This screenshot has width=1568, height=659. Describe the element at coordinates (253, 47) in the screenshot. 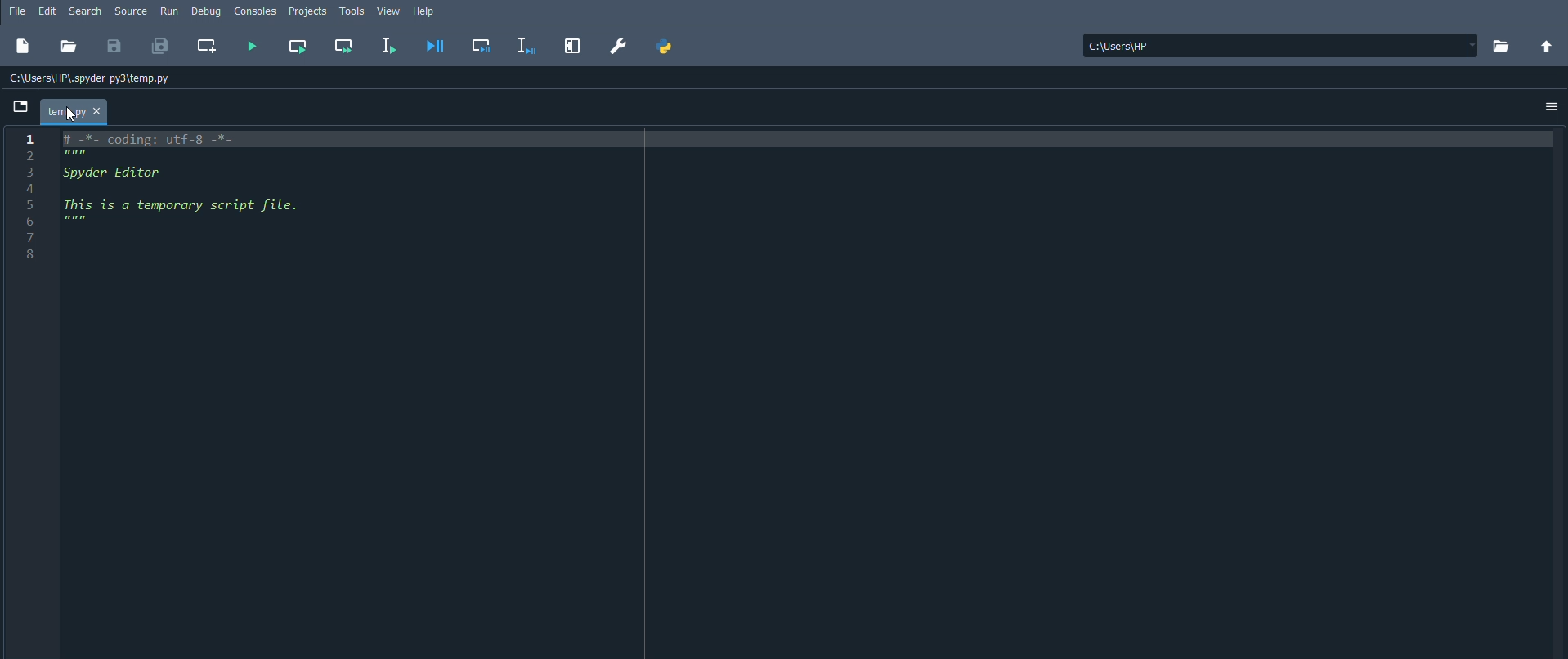

I see `Run file` at that location.